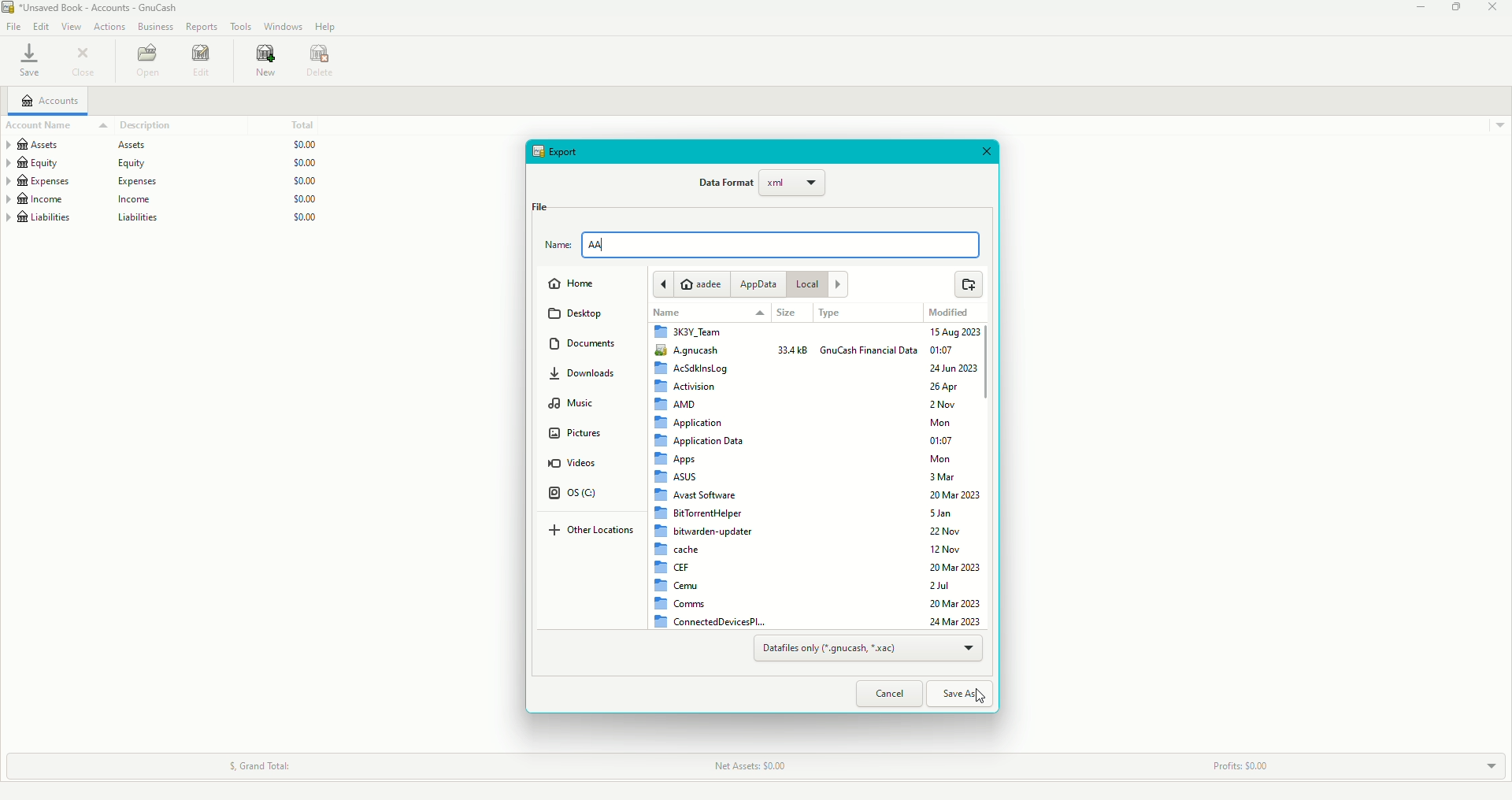 This screenshot has height=800, width=1512. I want to click on Tools, so click(239, 27).